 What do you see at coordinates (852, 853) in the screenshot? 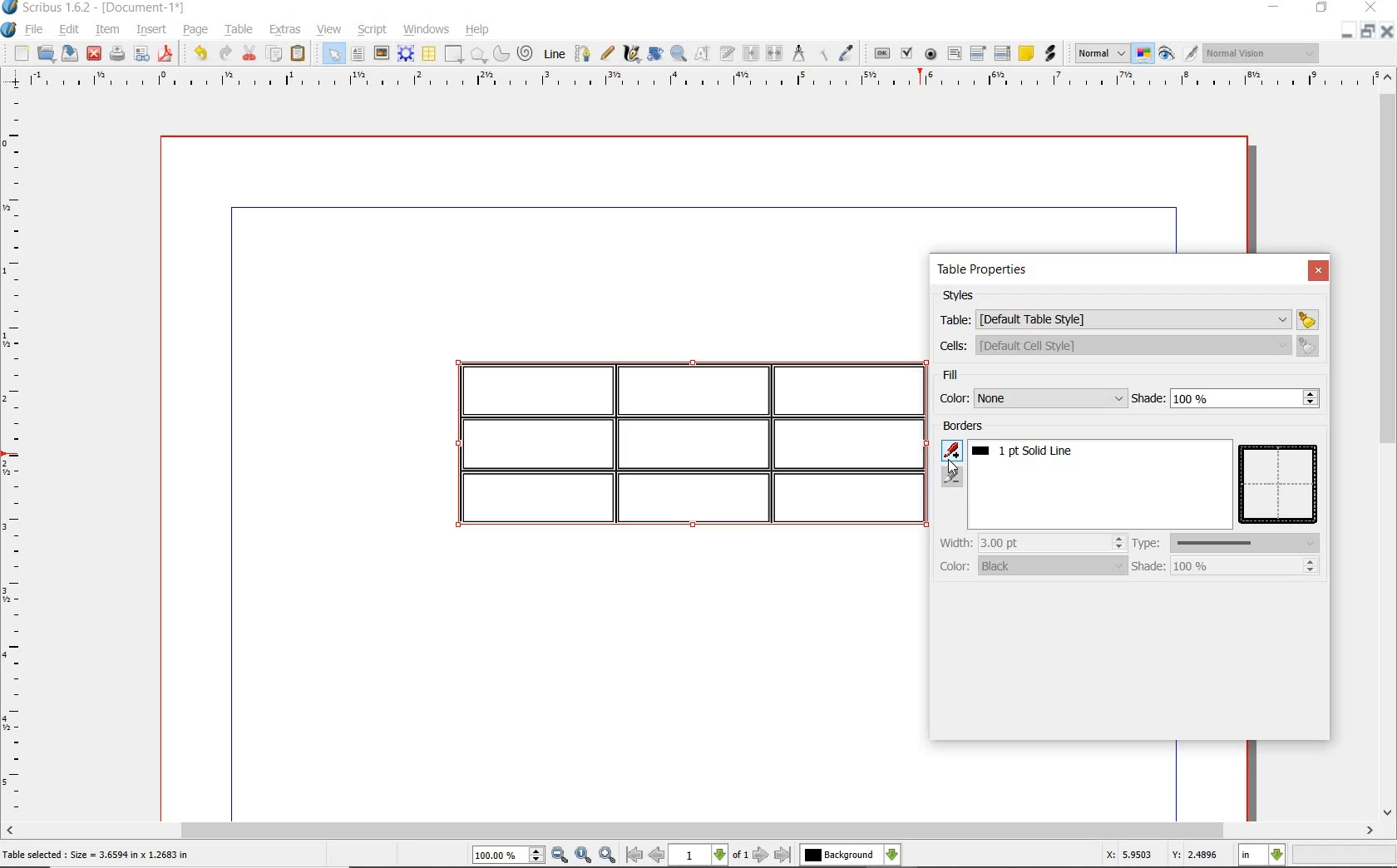
I see `select the current layer` at bounding box center [852, 853].